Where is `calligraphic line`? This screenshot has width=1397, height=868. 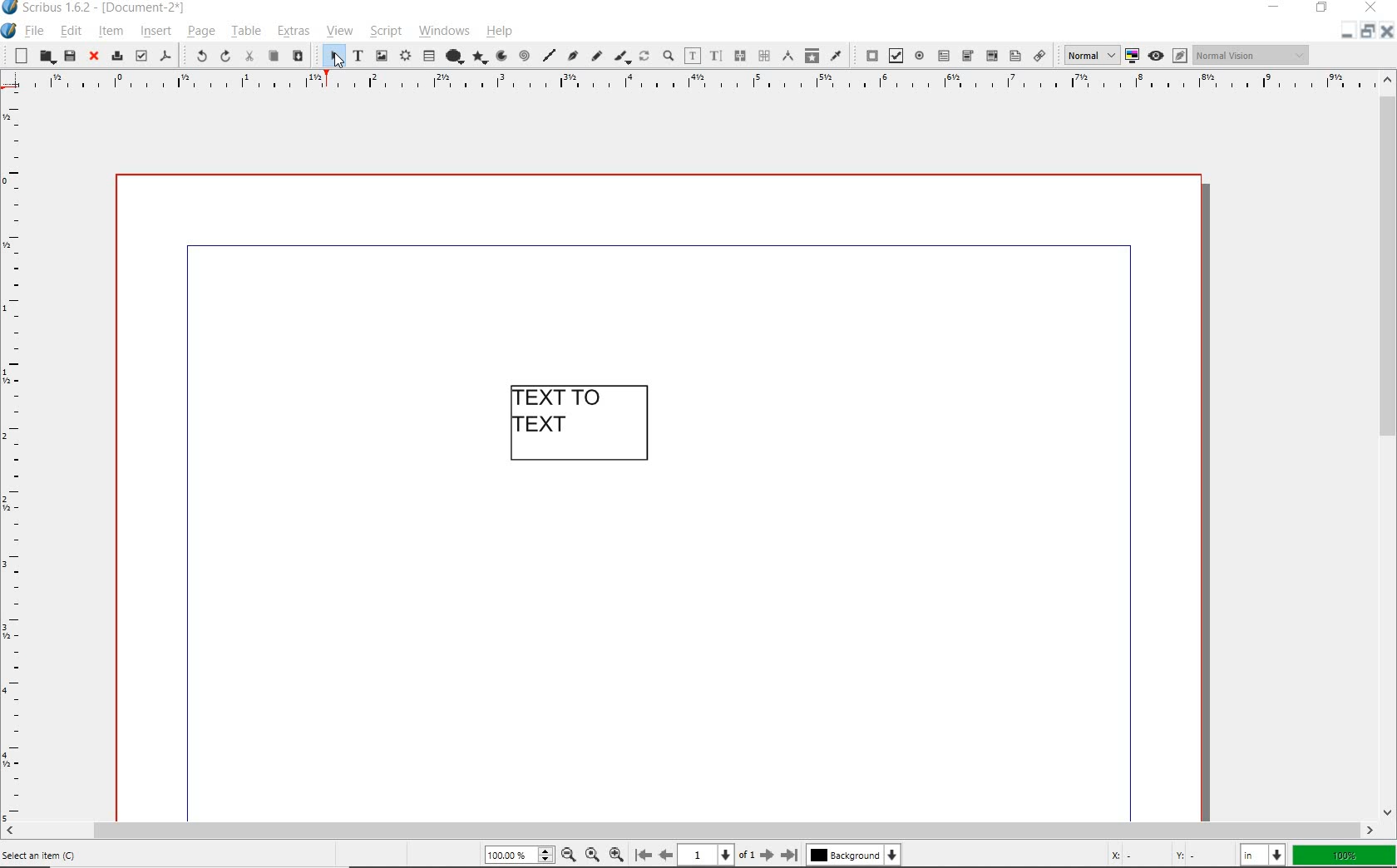
calligraphic line is located at coordinates (623, 56).